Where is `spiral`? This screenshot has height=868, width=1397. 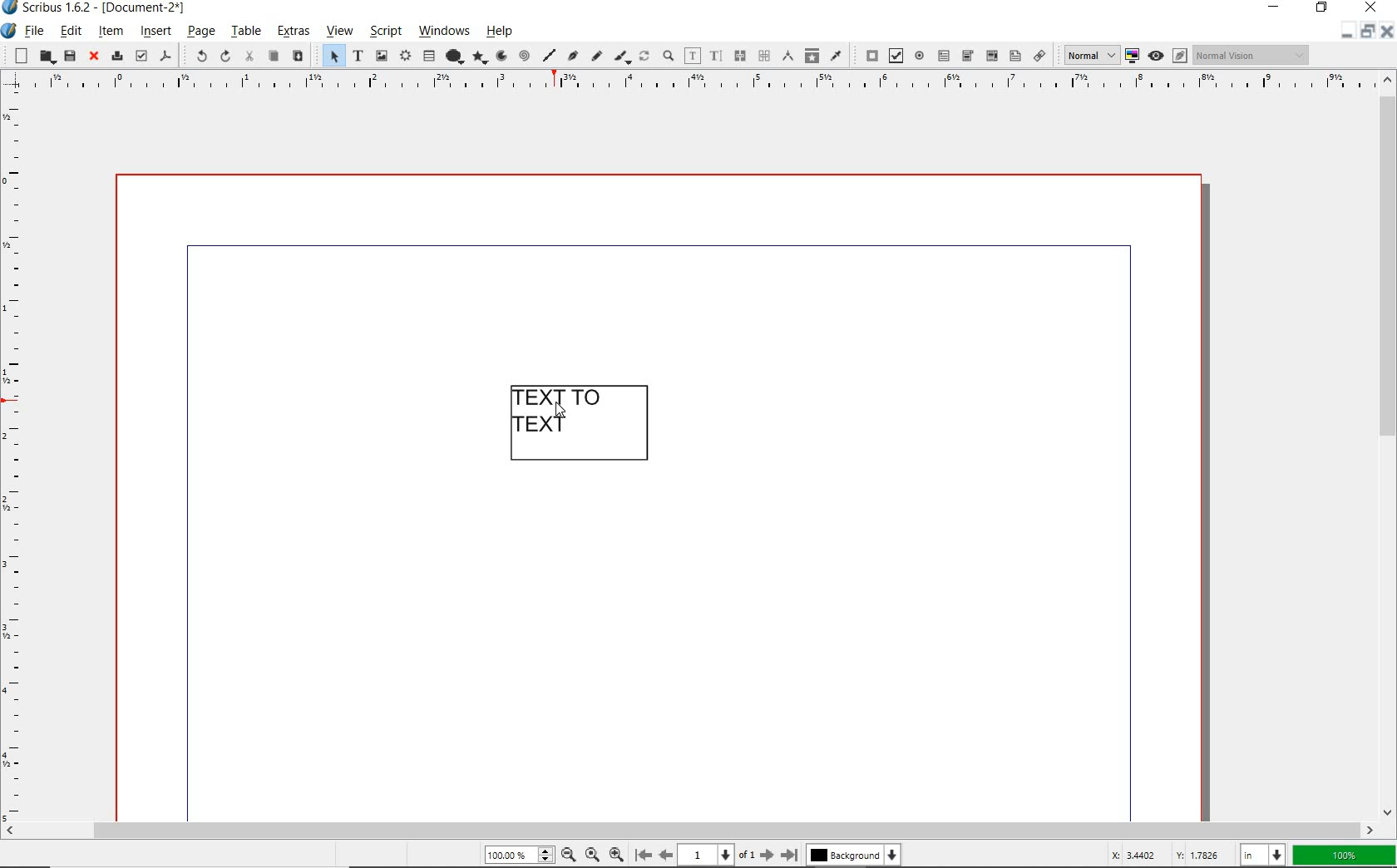
spiral is located at coordinates (523, 55).